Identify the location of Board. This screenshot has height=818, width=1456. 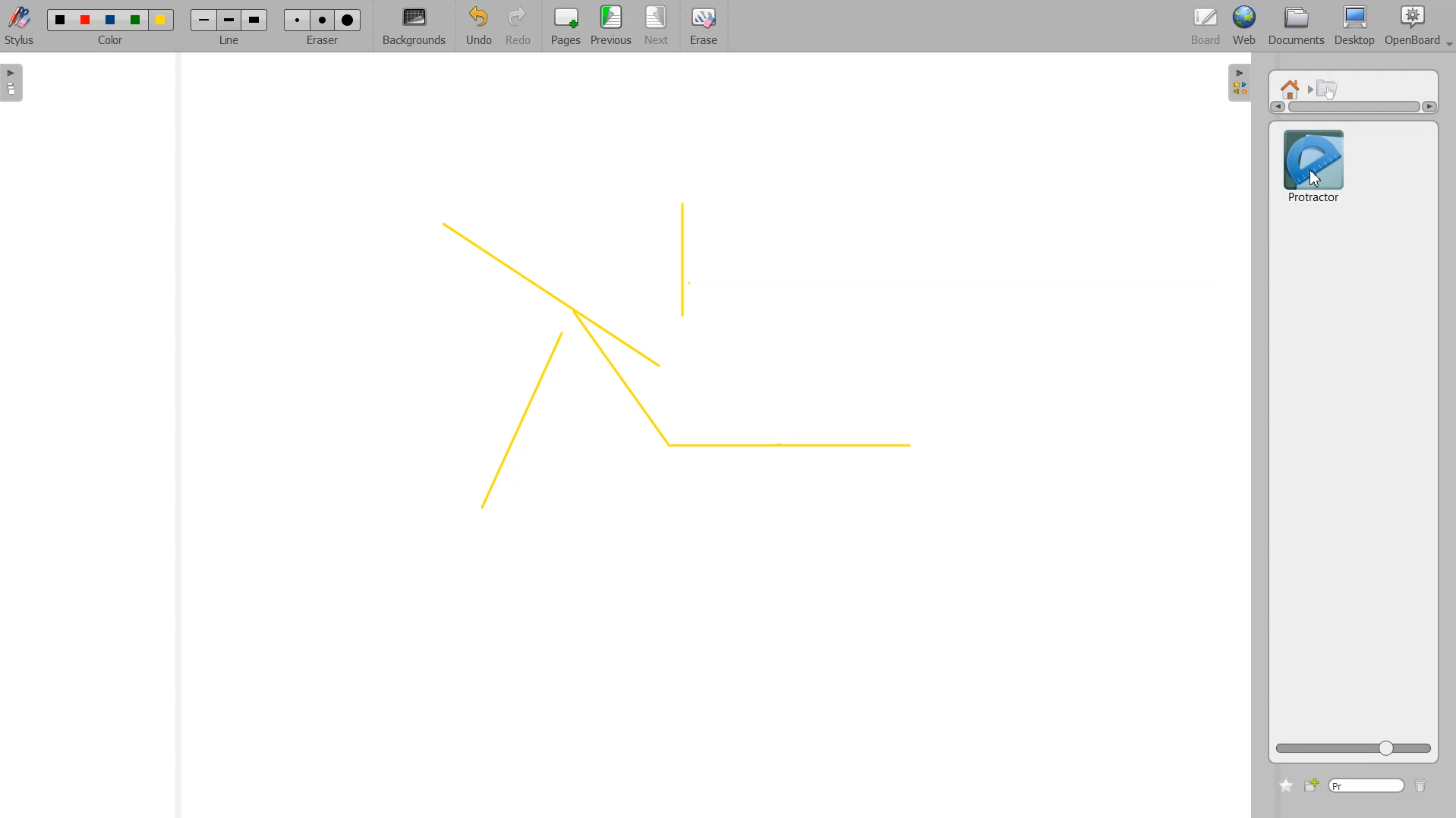
(1206, 27).